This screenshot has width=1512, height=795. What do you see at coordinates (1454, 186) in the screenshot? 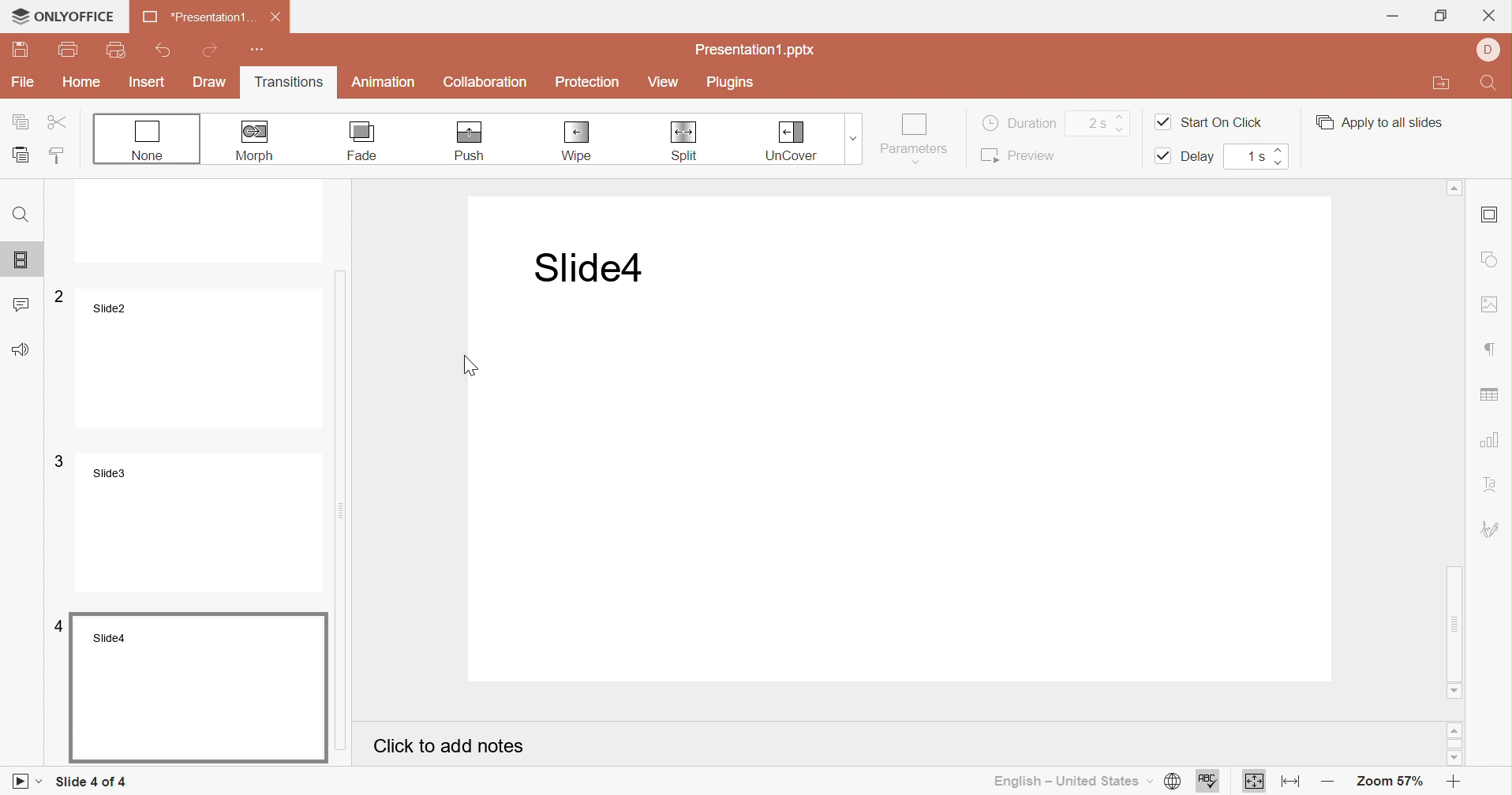
I see `Scroll up` at bounding box center [1454, 186].